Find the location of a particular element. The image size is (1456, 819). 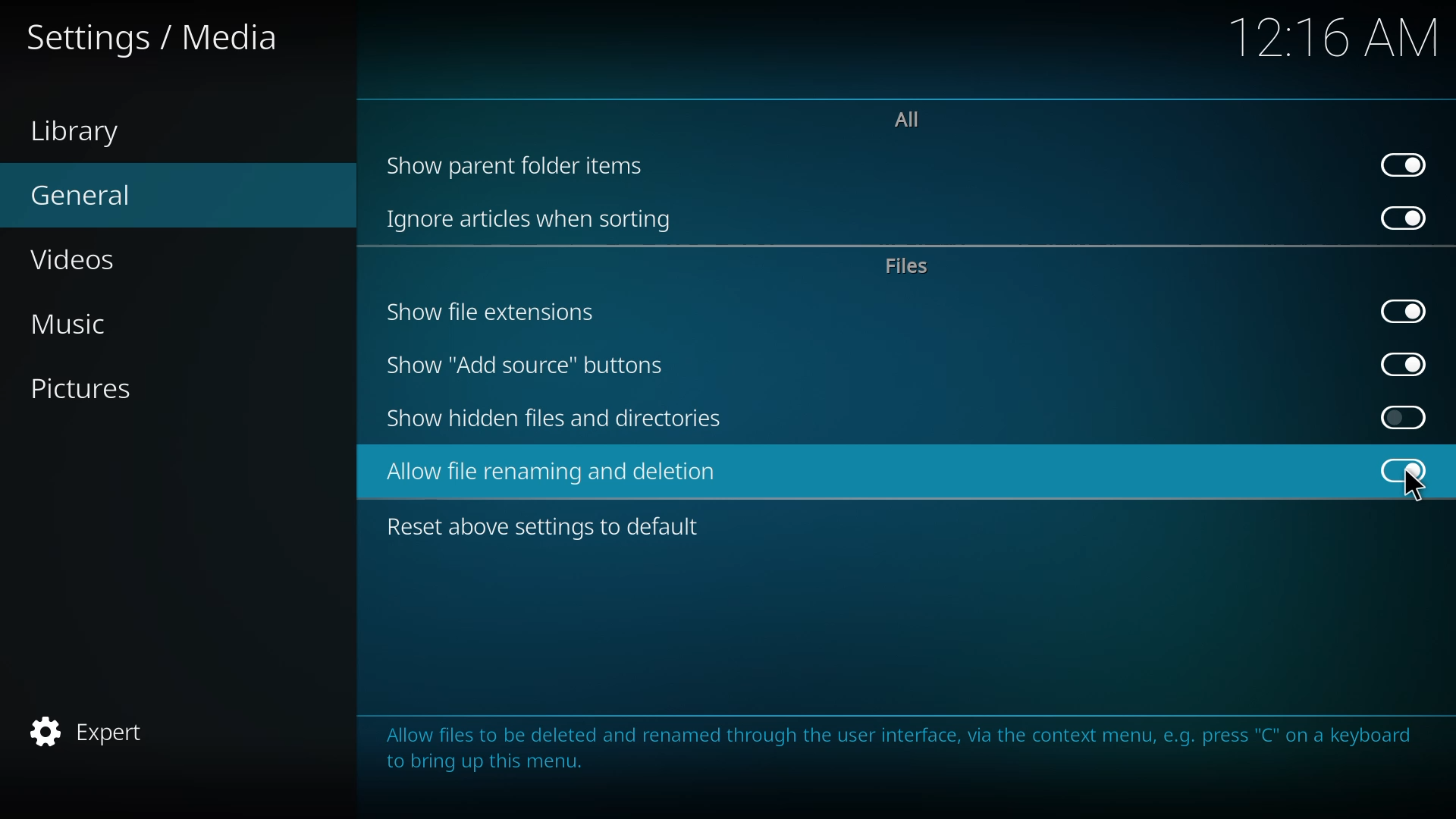

cursor is located at coordinates (1420, 483).